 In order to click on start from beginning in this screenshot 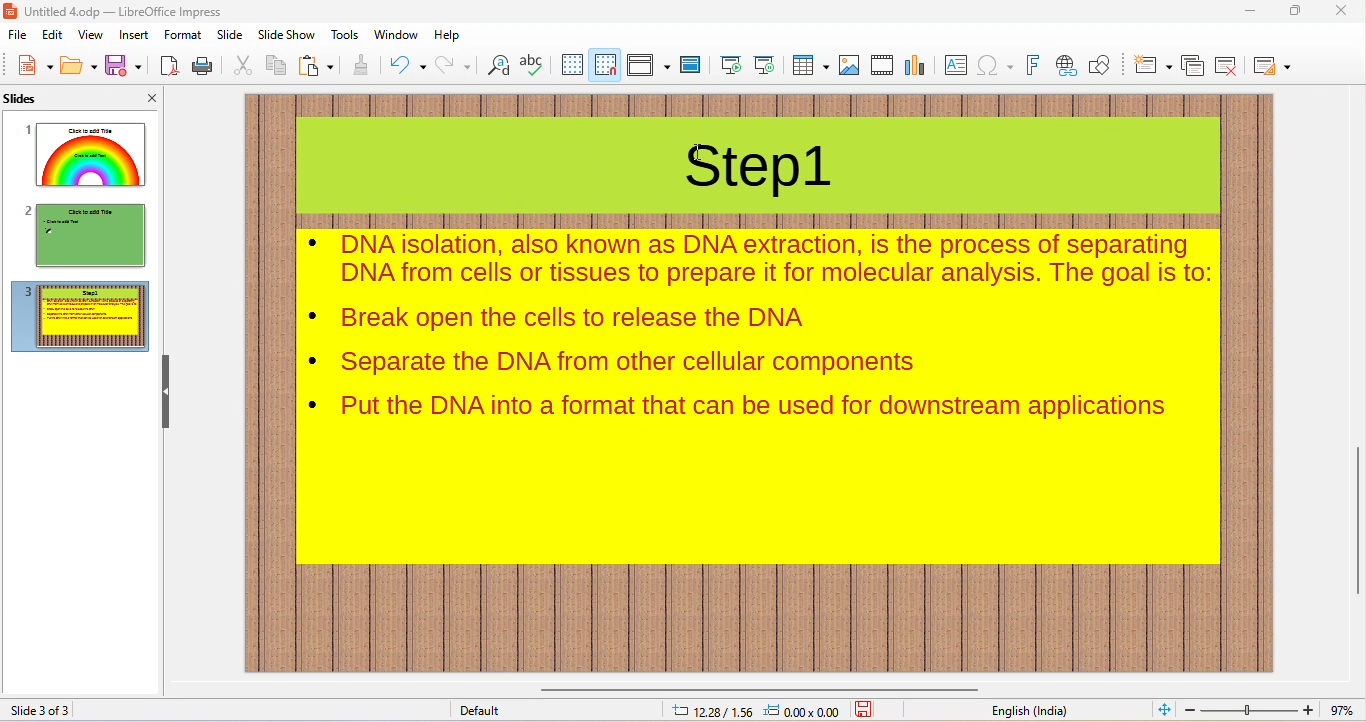, I will do `click(728, 63)`.